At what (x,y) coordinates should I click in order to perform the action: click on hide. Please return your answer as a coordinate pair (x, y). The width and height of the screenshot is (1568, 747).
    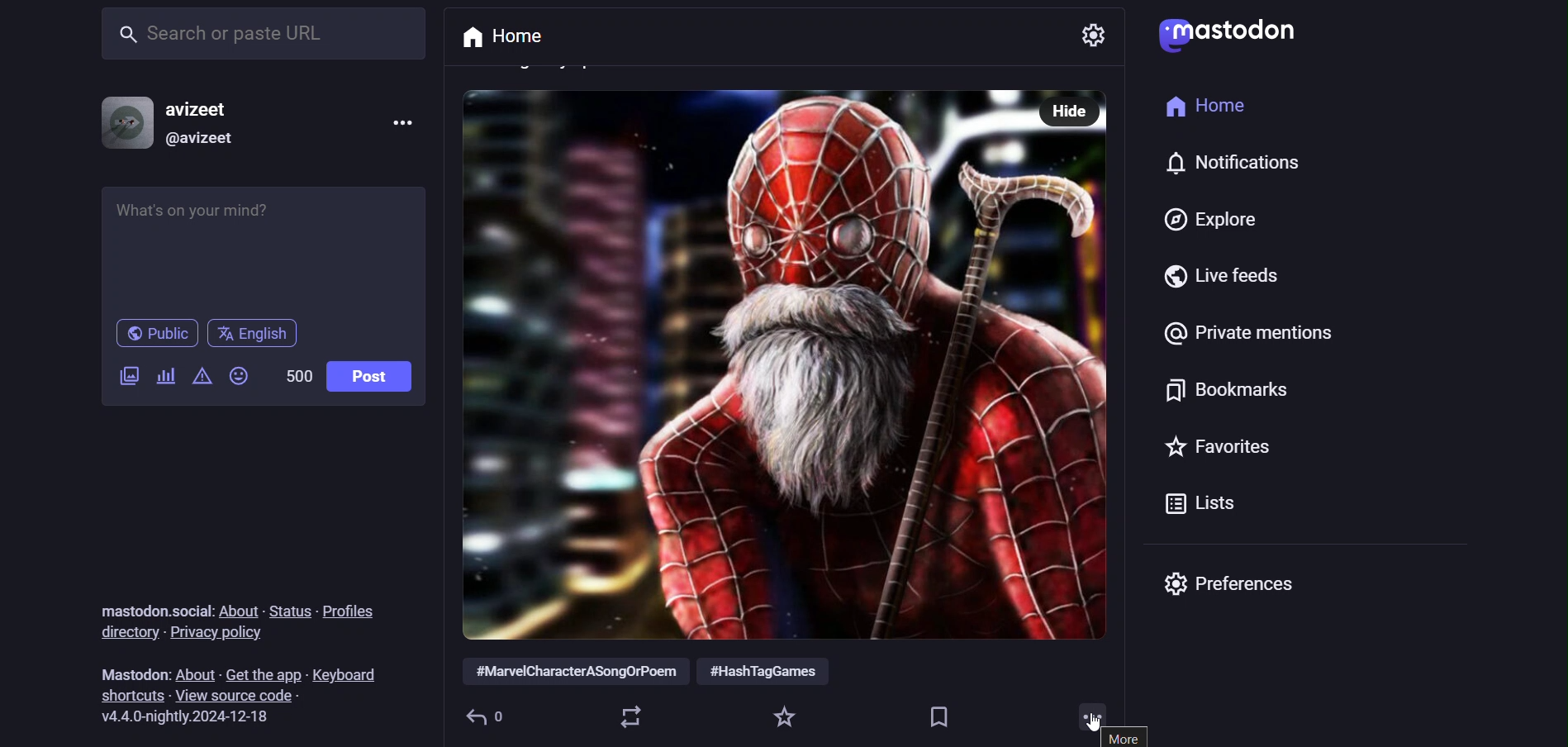
    Looking at the image, I should click on (1073, 113).